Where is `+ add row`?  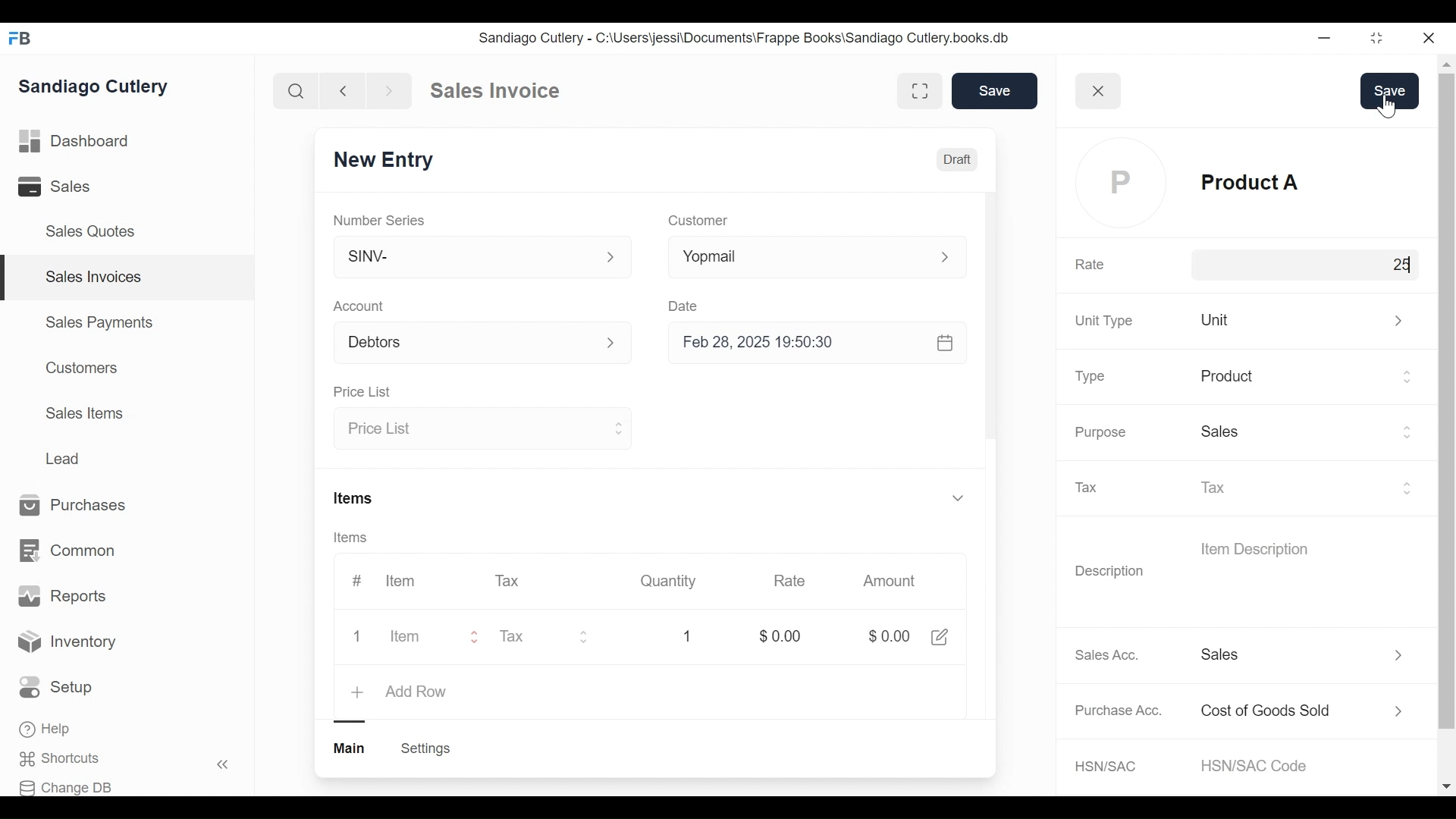 + add row is located at coordinates (402, 690).